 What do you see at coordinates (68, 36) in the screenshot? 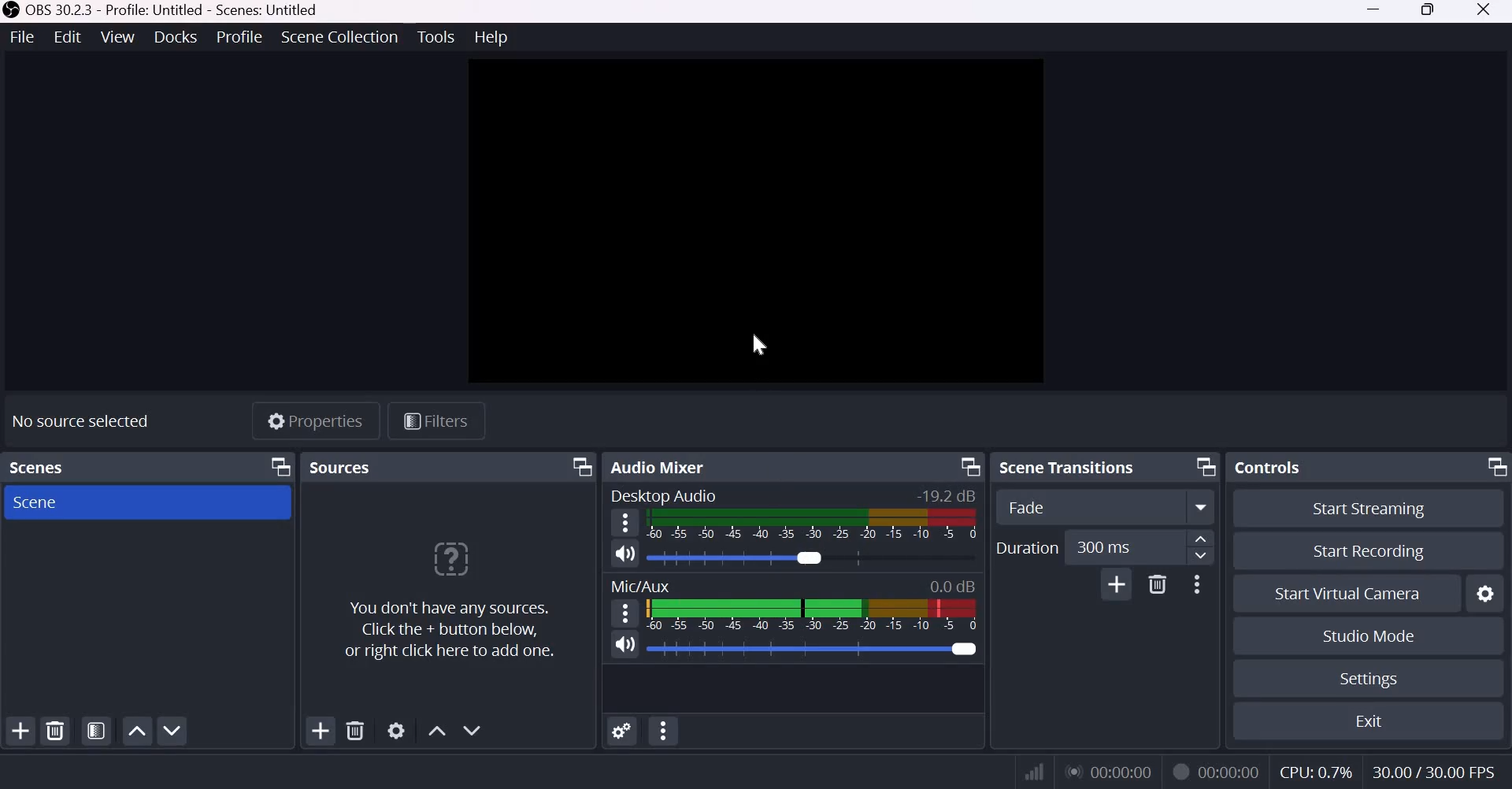
I see `Edit` at bounding box center [68, 36].